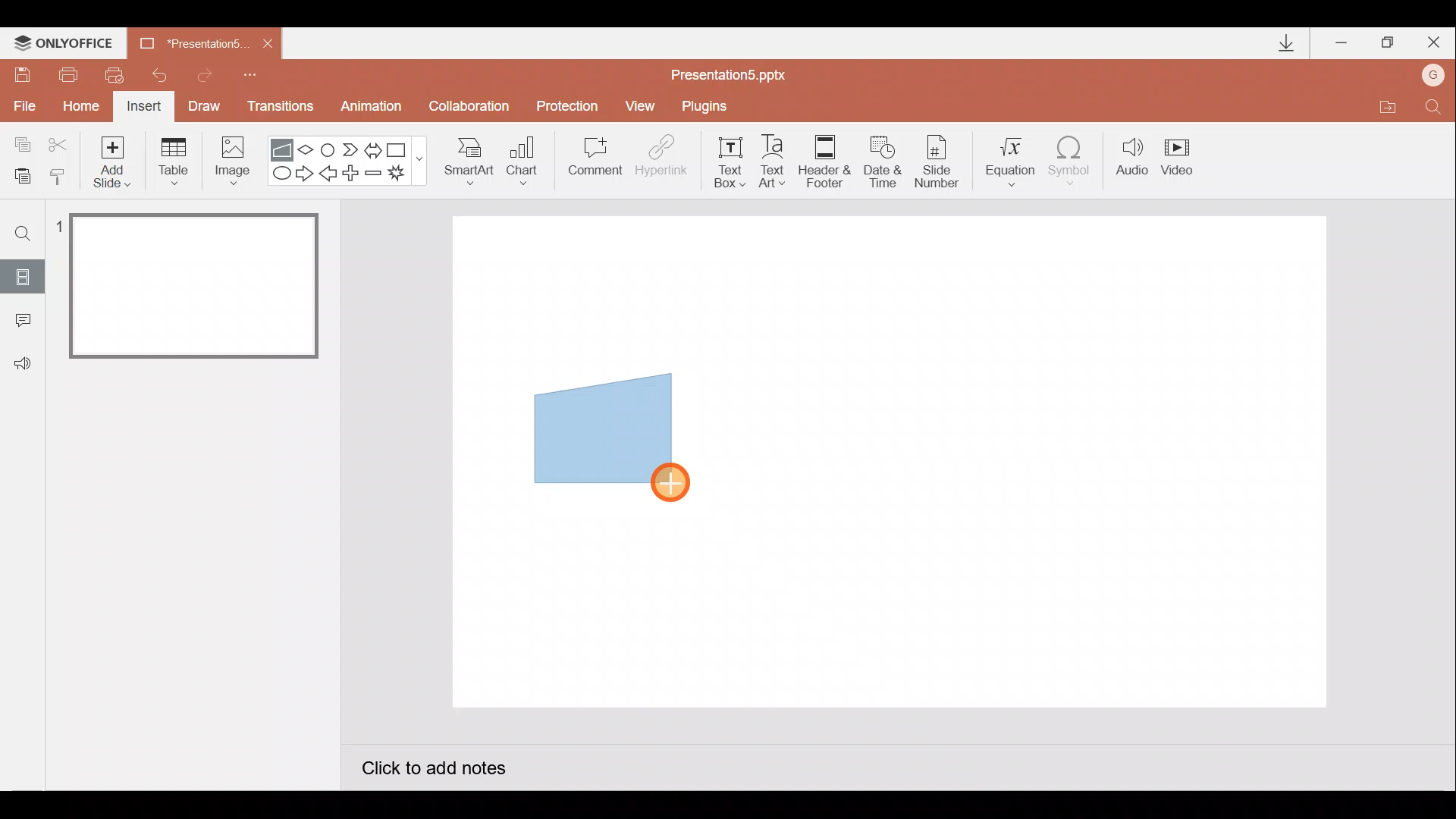 This screenshot has width=1456, height=819. I want to click on Add slide, so click(115, 158).